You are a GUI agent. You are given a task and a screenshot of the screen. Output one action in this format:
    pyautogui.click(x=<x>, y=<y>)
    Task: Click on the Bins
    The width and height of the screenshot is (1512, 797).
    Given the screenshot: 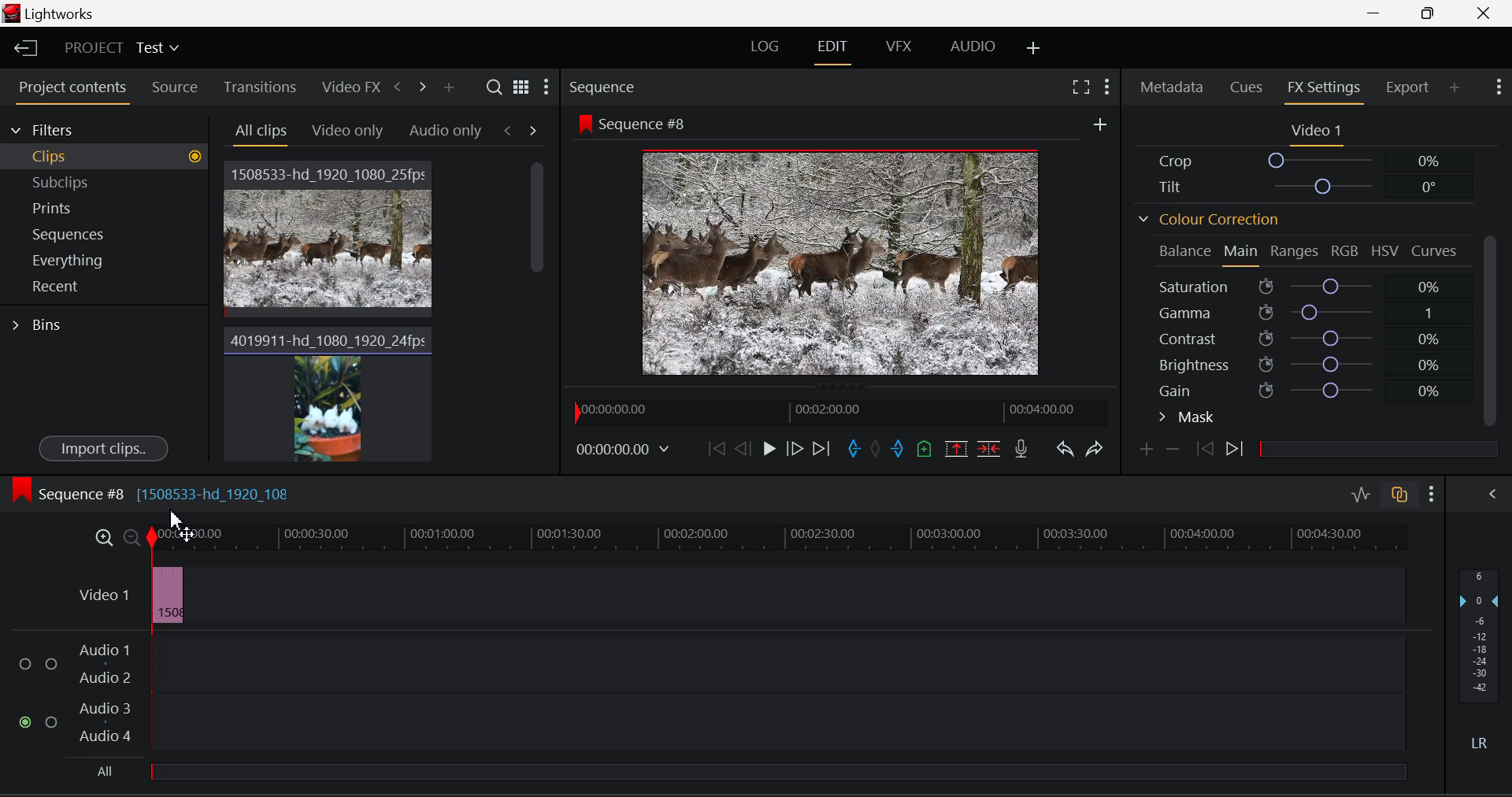 What is the action you would take?
    pyautogui.click(x=102, y=325)
    